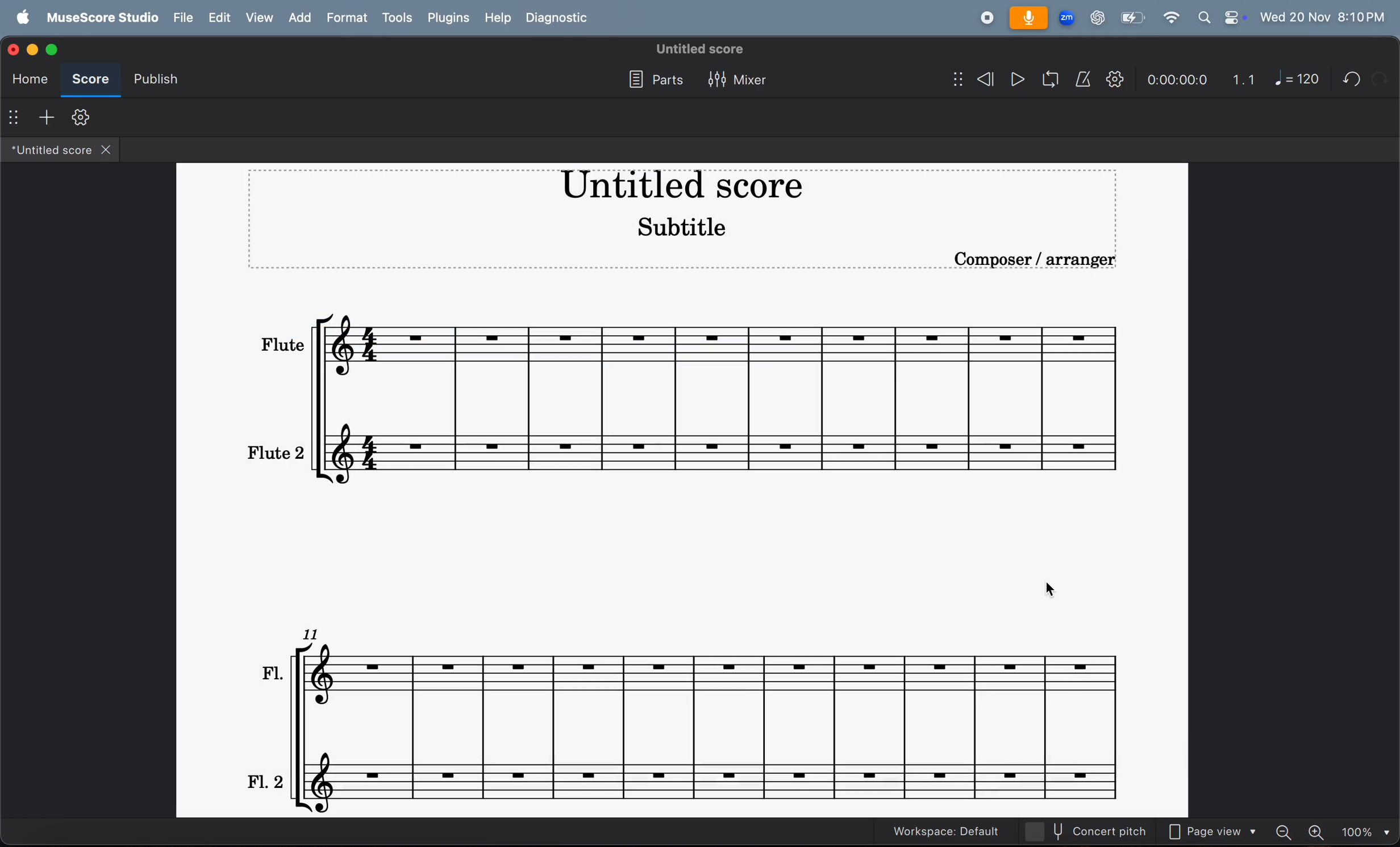 The width and height of the screenshot is (1400, 847). What do you see at coordinates (680, 227) in the screenshot?
I see `subtitle` at bounding box center [680, 227].